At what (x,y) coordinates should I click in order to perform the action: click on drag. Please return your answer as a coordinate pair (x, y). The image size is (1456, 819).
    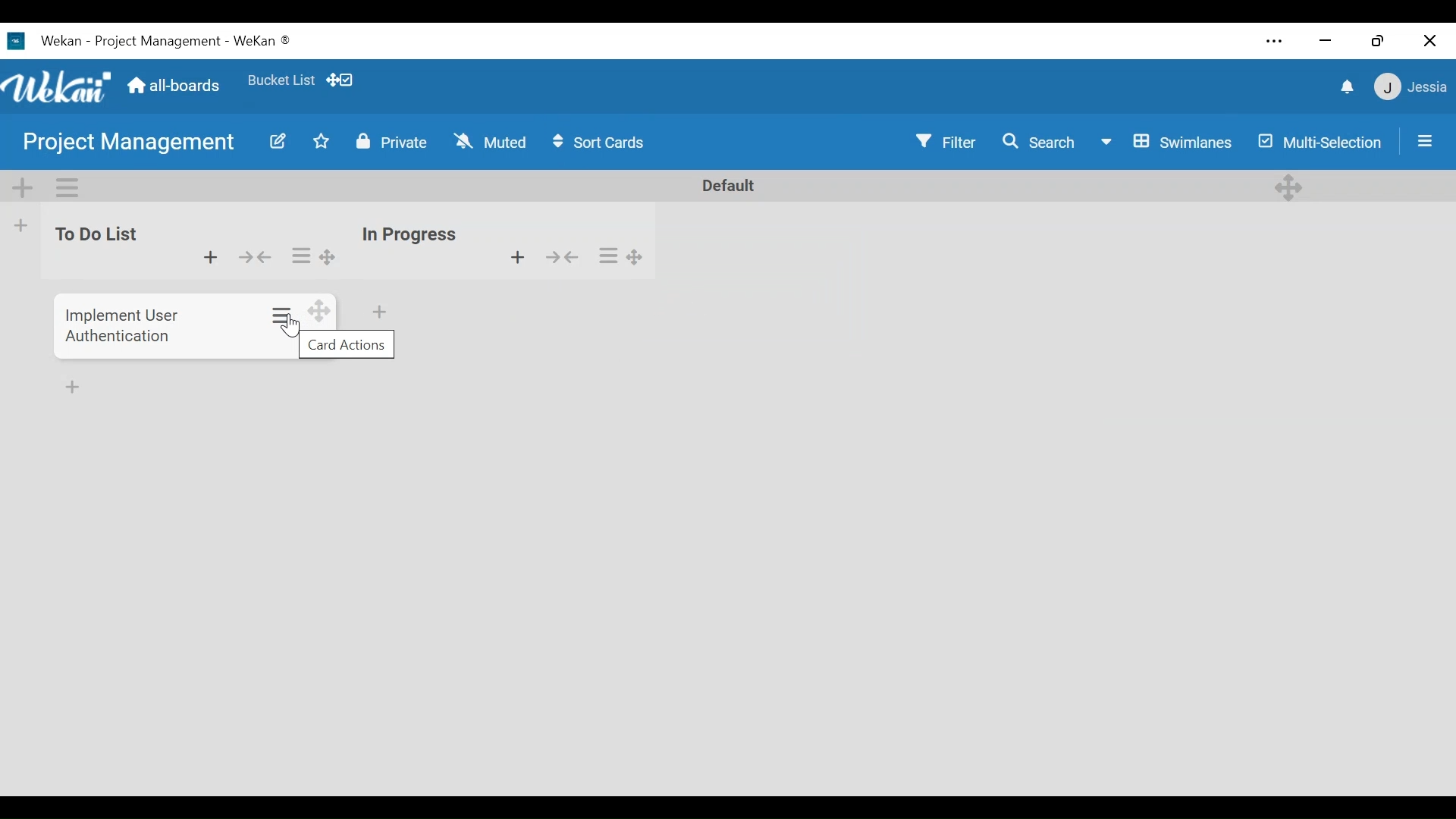
    Looking at the image, I should click on (319, 311).